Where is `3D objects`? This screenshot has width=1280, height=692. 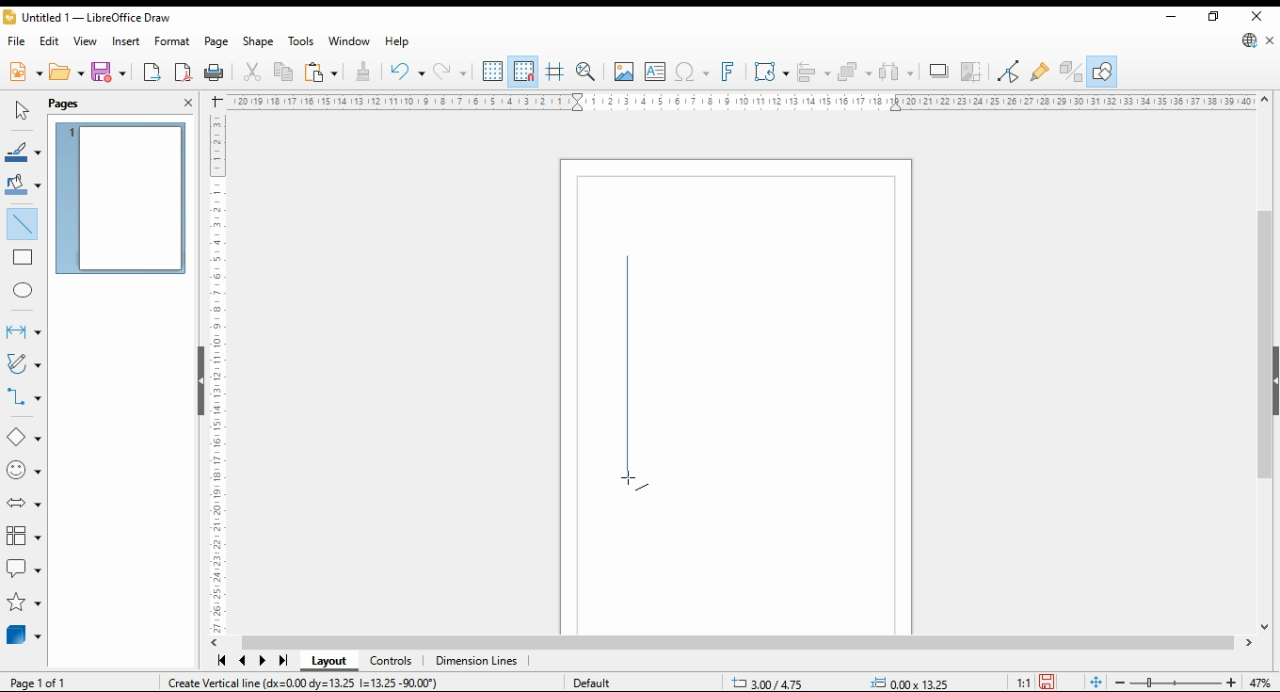 3D objects is located at coordinates (24, 636).